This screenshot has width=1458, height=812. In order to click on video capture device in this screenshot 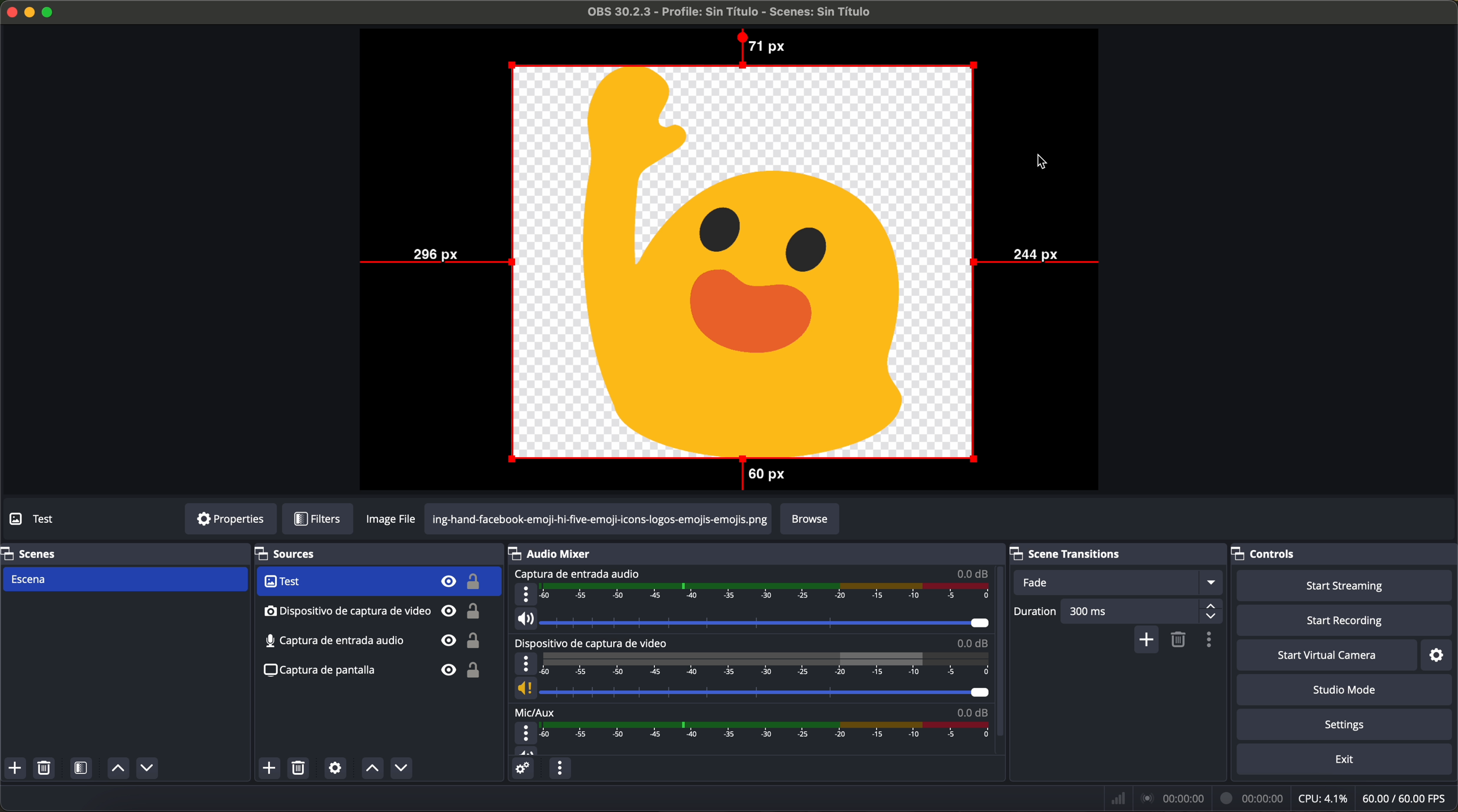, I will do `click(595, 643)`.